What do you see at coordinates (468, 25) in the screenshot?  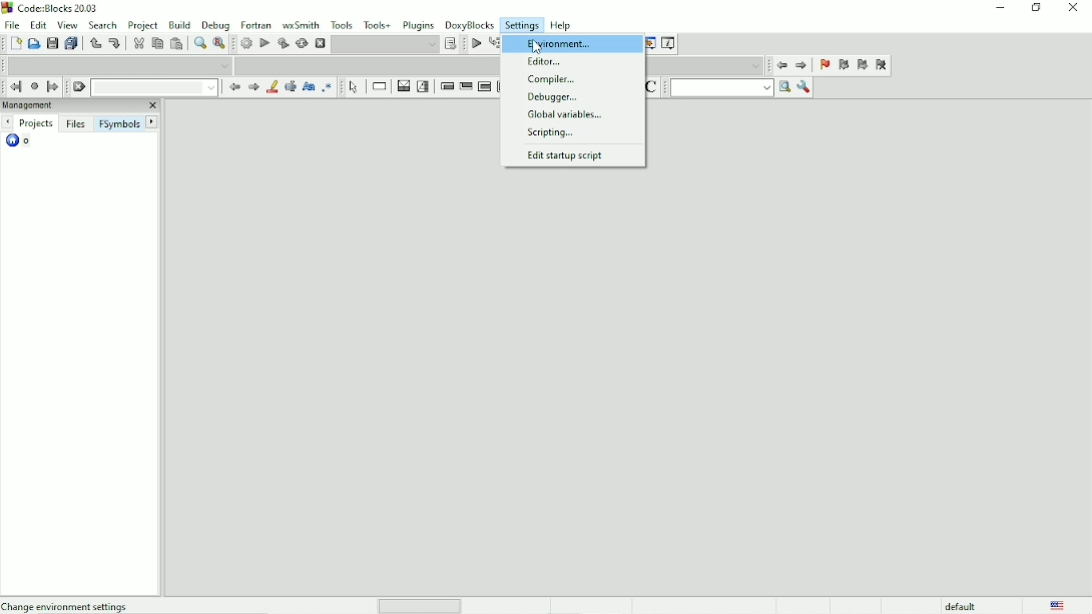 I see `DoxyBlocks` at bounding box center [468, 25].